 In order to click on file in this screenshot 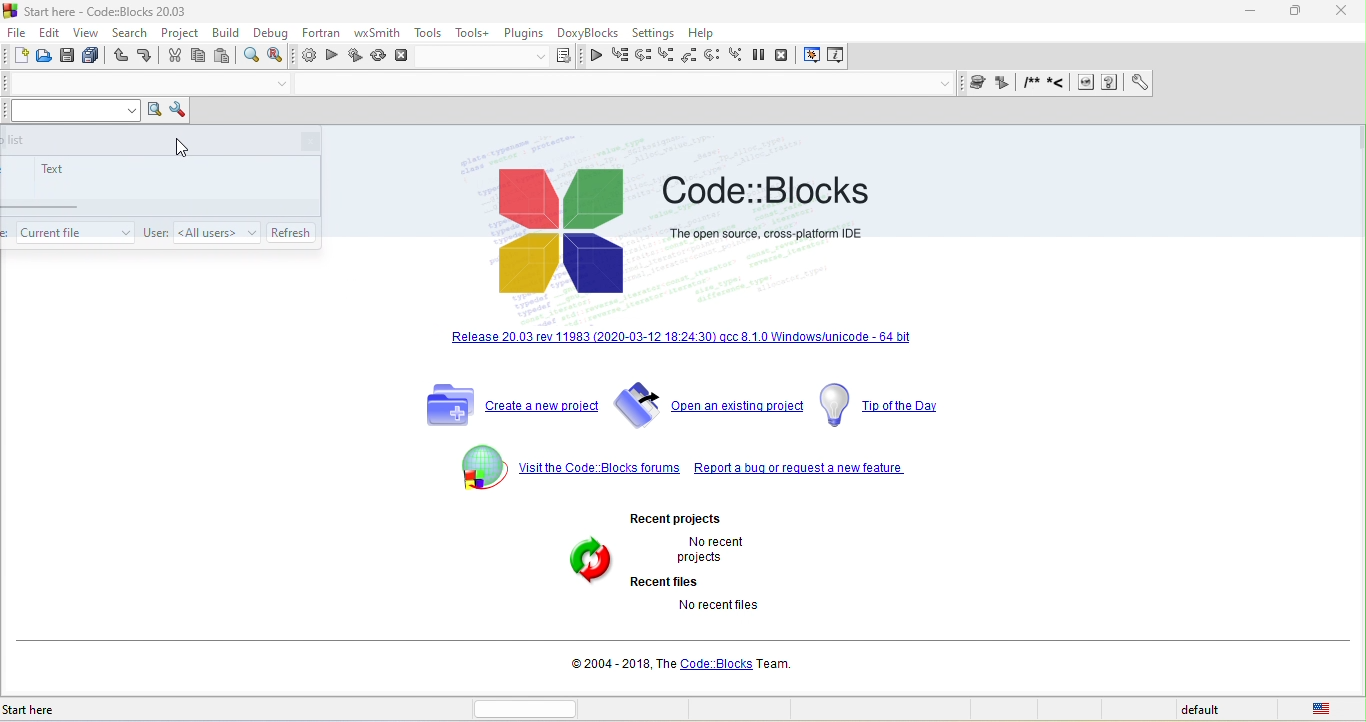, I will do `click(20, 32)`.